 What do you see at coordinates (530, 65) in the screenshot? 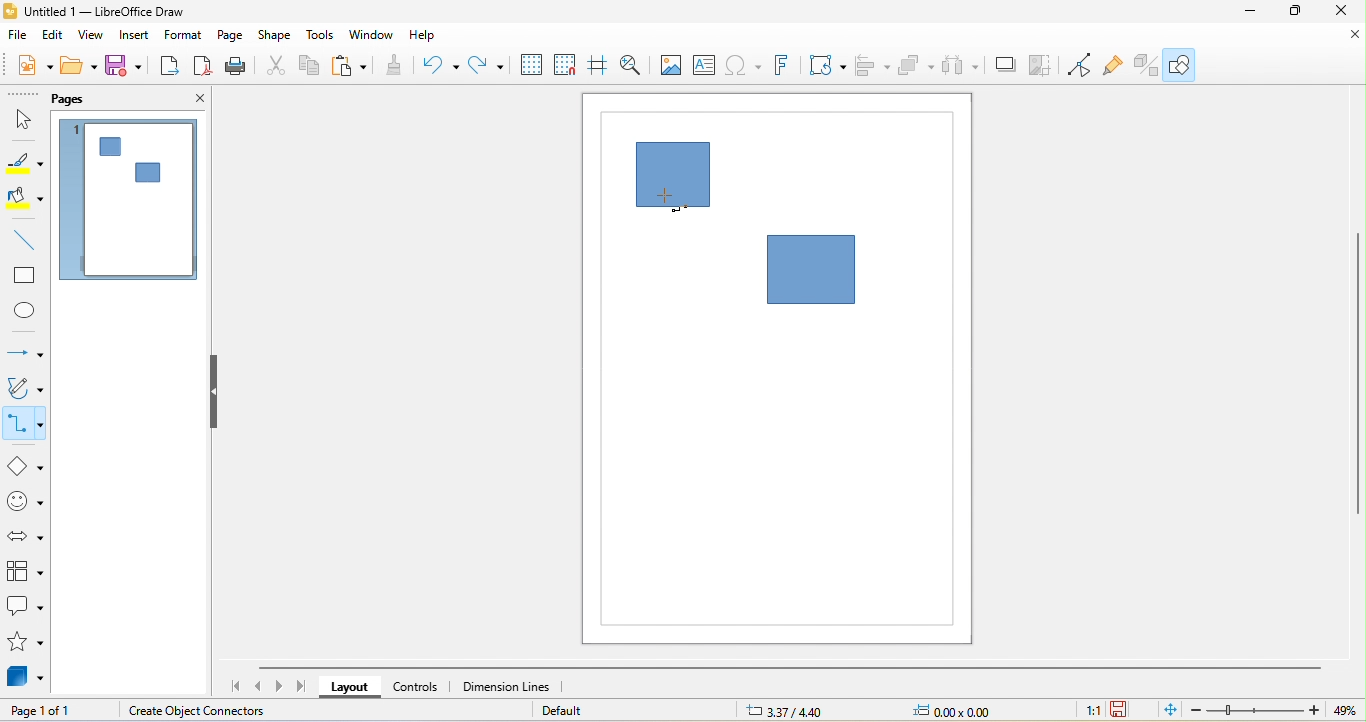
I see `display grid` at bounding box center [530, 65].